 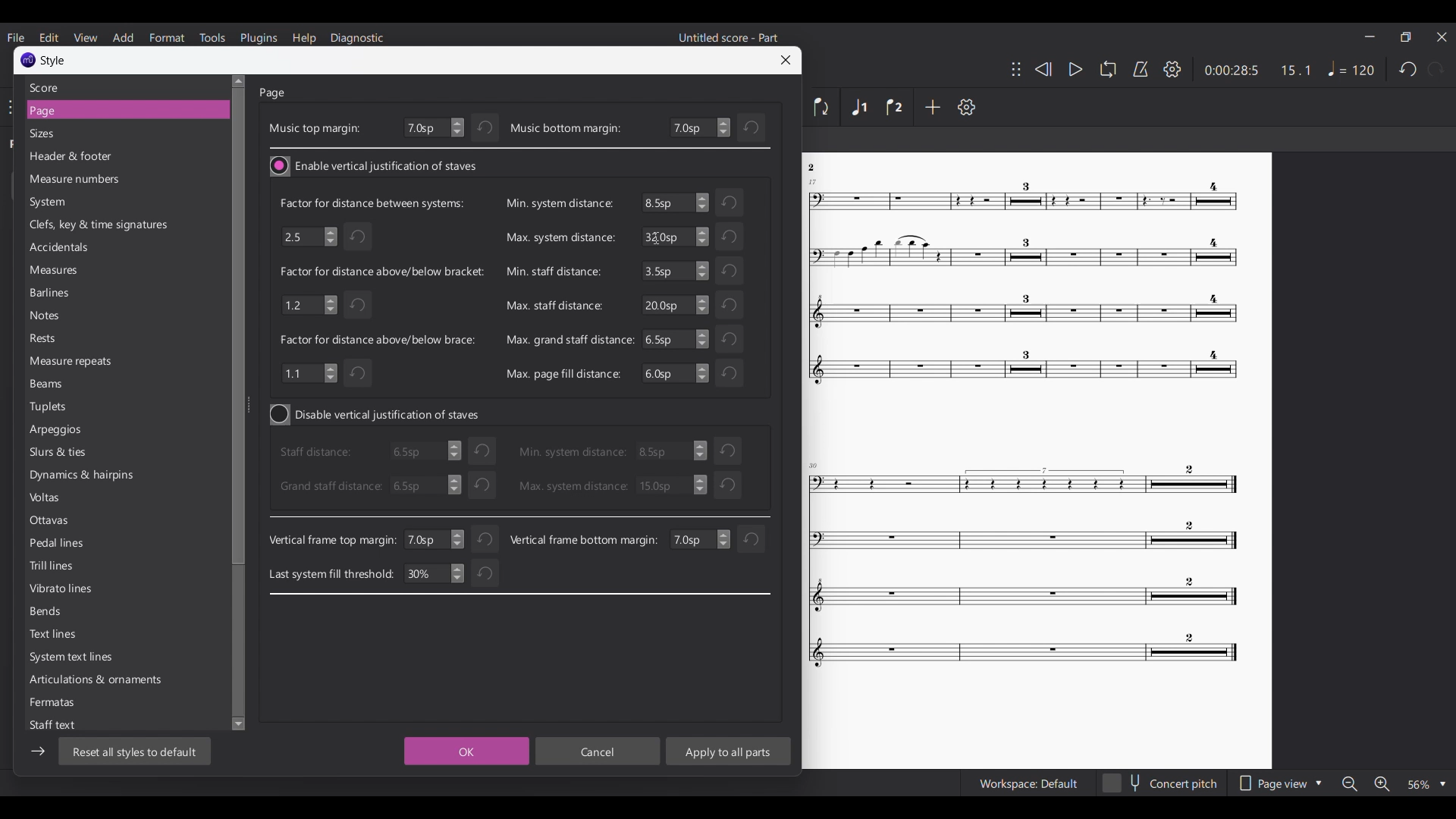 What do you see at coordinates (274, 93) in the screenshot?
I see `Page` at bounding box center [274, 93].